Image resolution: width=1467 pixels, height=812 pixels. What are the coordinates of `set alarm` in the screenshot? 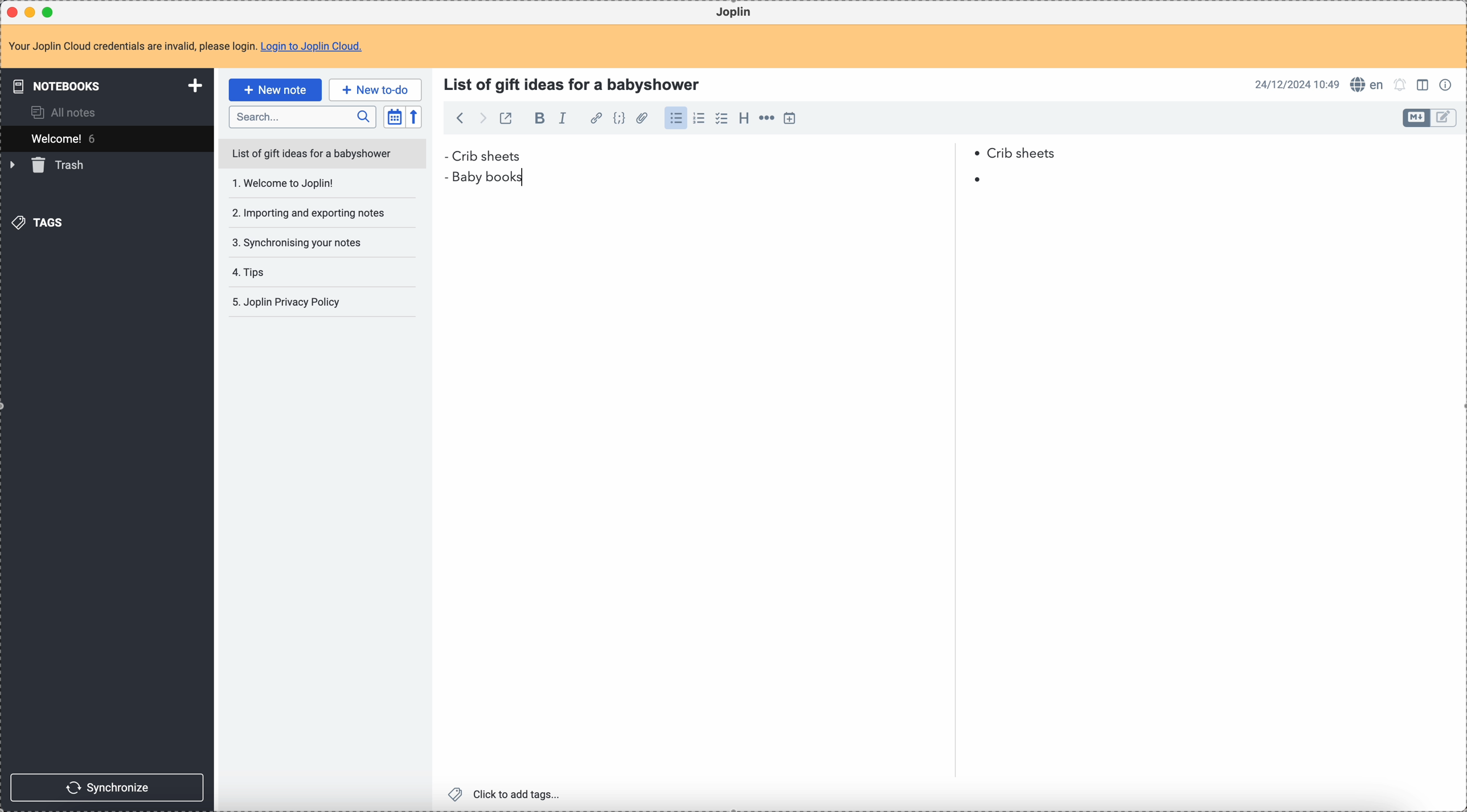 It's located at (1400, 85).